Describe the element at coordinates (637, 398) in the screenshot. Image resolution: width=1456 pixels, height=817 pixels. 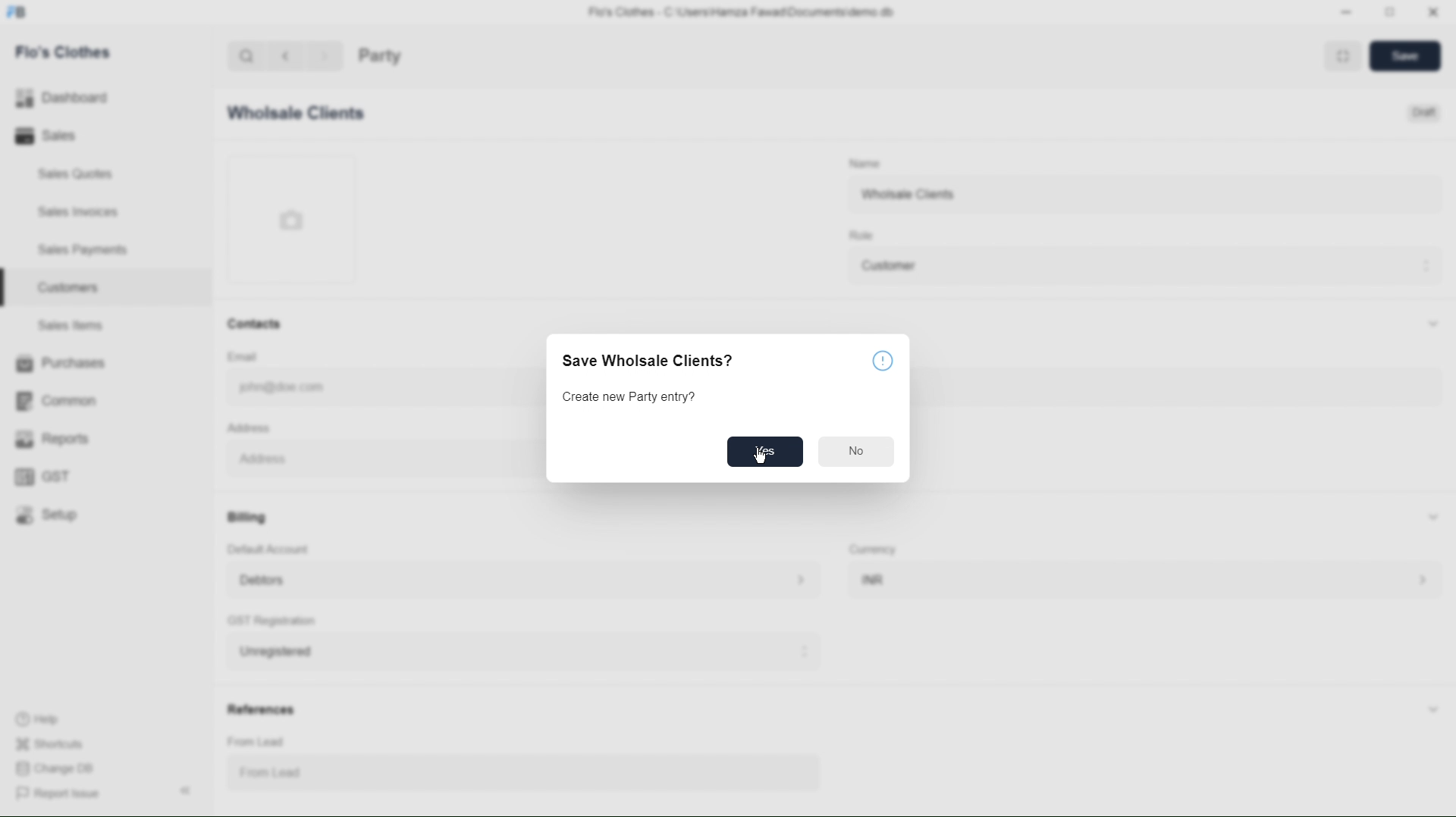
I see `Create new Party entry?` at that location.